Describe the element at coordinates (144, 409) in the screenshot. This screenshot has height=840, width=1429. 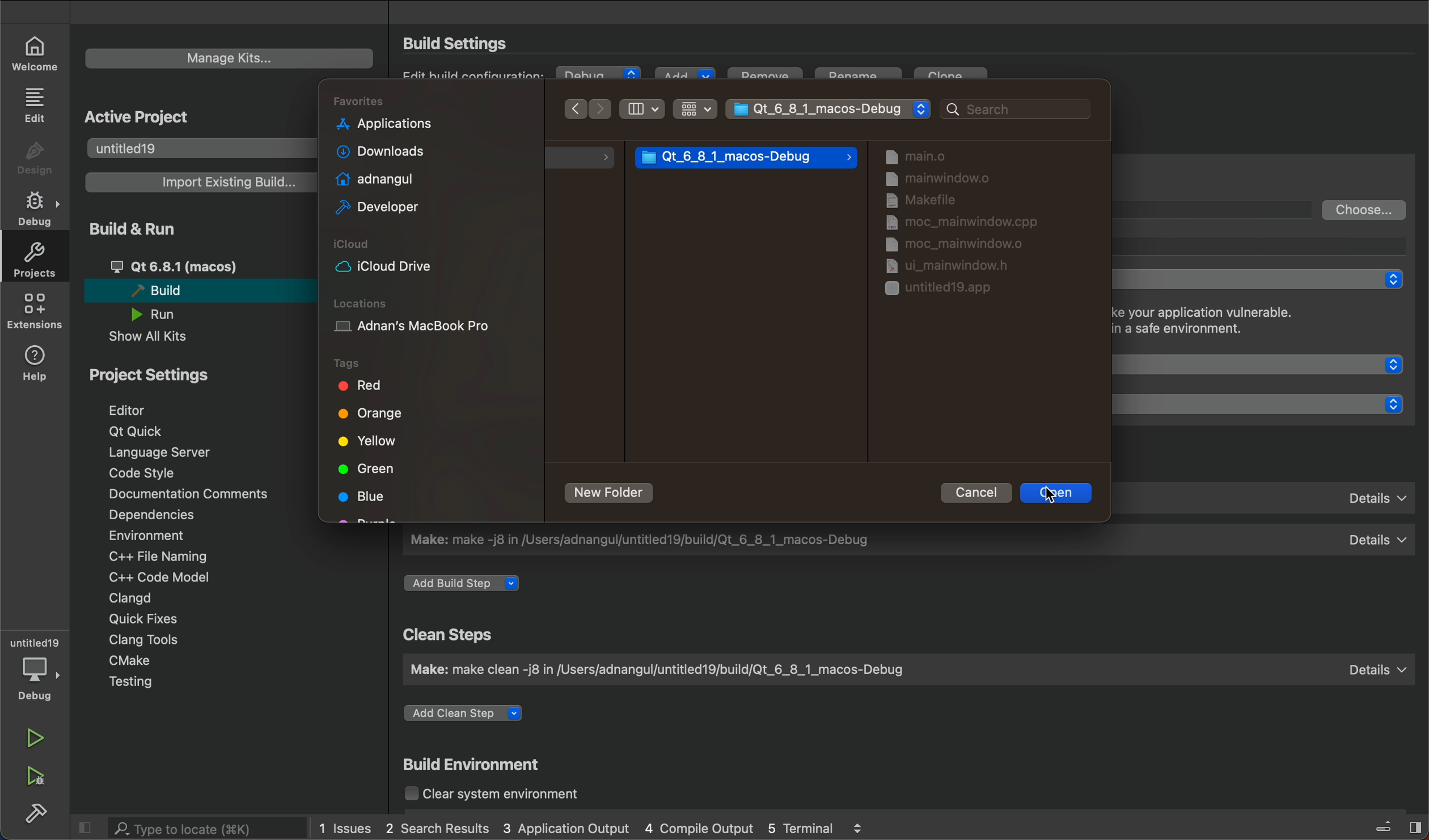
I see `editor` at that location.